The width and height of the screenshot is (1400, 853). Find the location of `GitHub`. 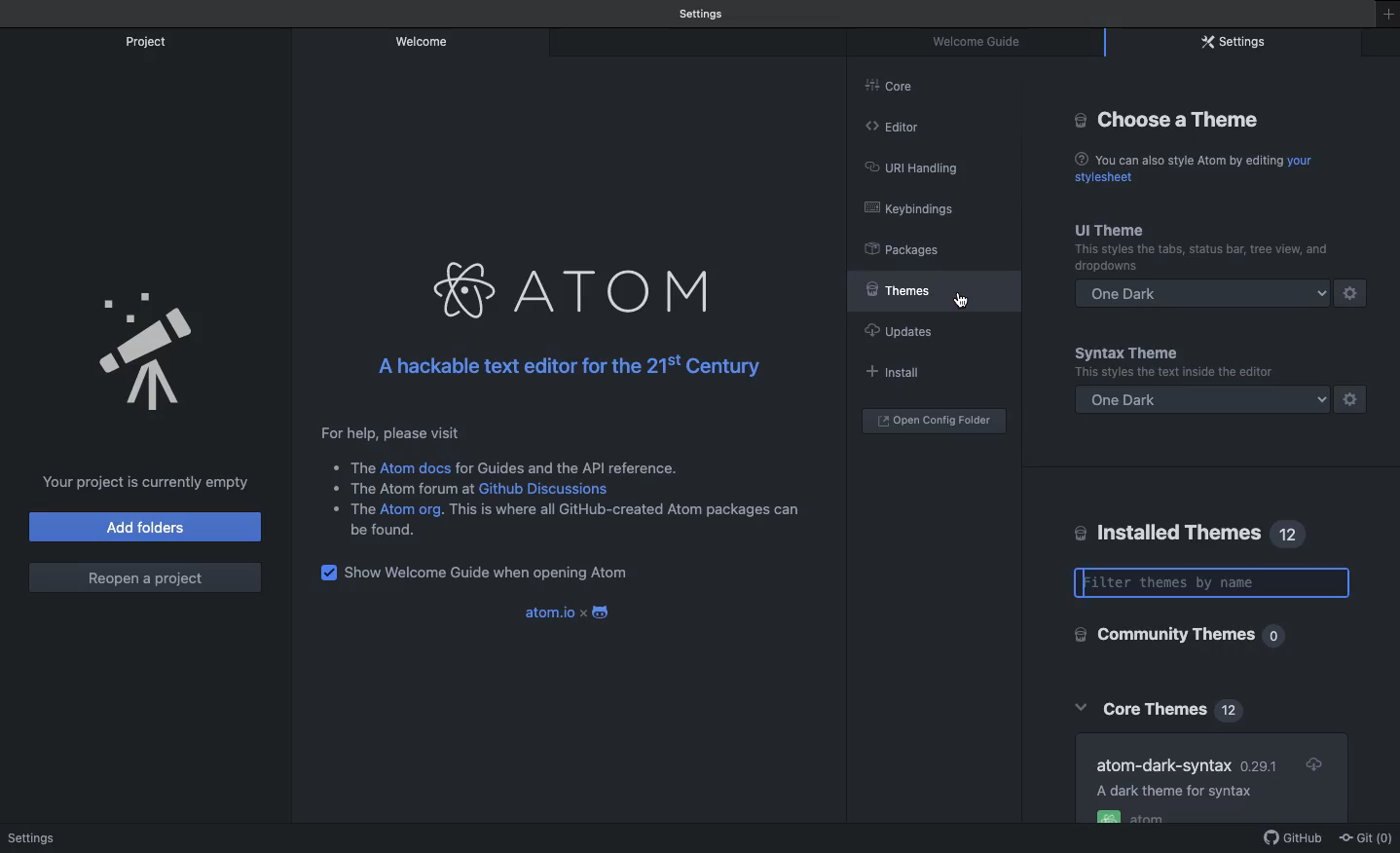

GitHub is located at coordinates (1295, 840).